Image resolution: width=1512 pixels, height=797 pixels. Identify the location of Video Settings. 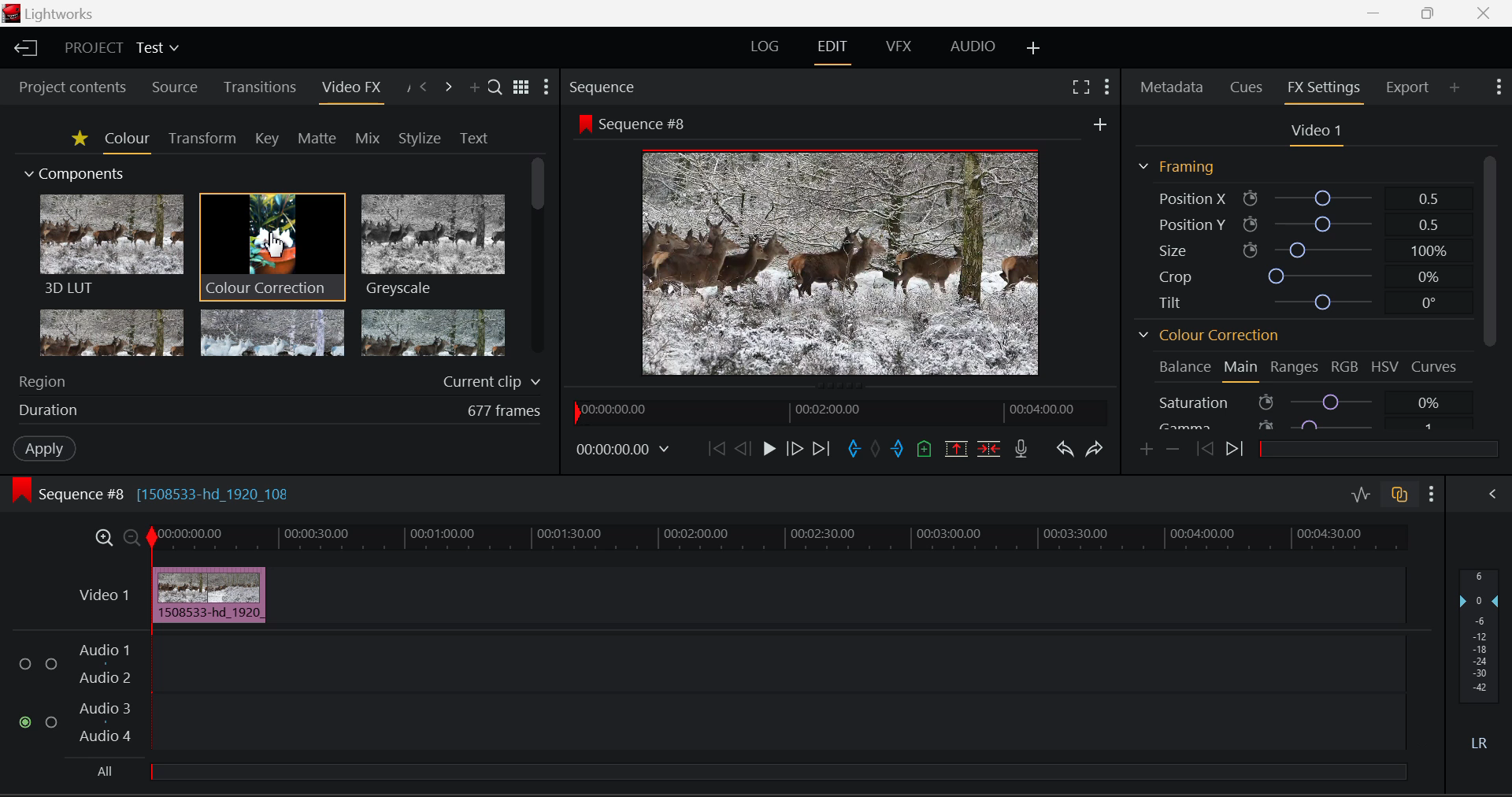
(1314, 132).